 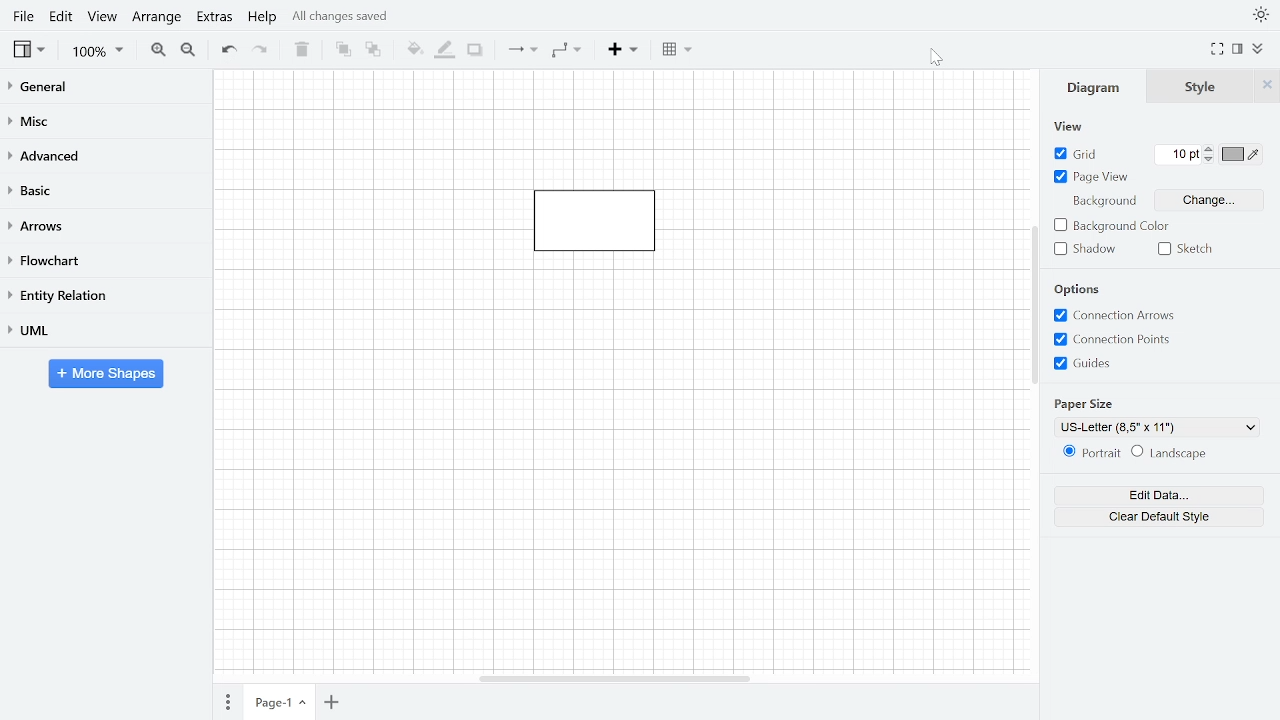 What do you see at coordinates (105, 225) in the screenshot?
I see `Arrows` at bounding box center [105, 225].